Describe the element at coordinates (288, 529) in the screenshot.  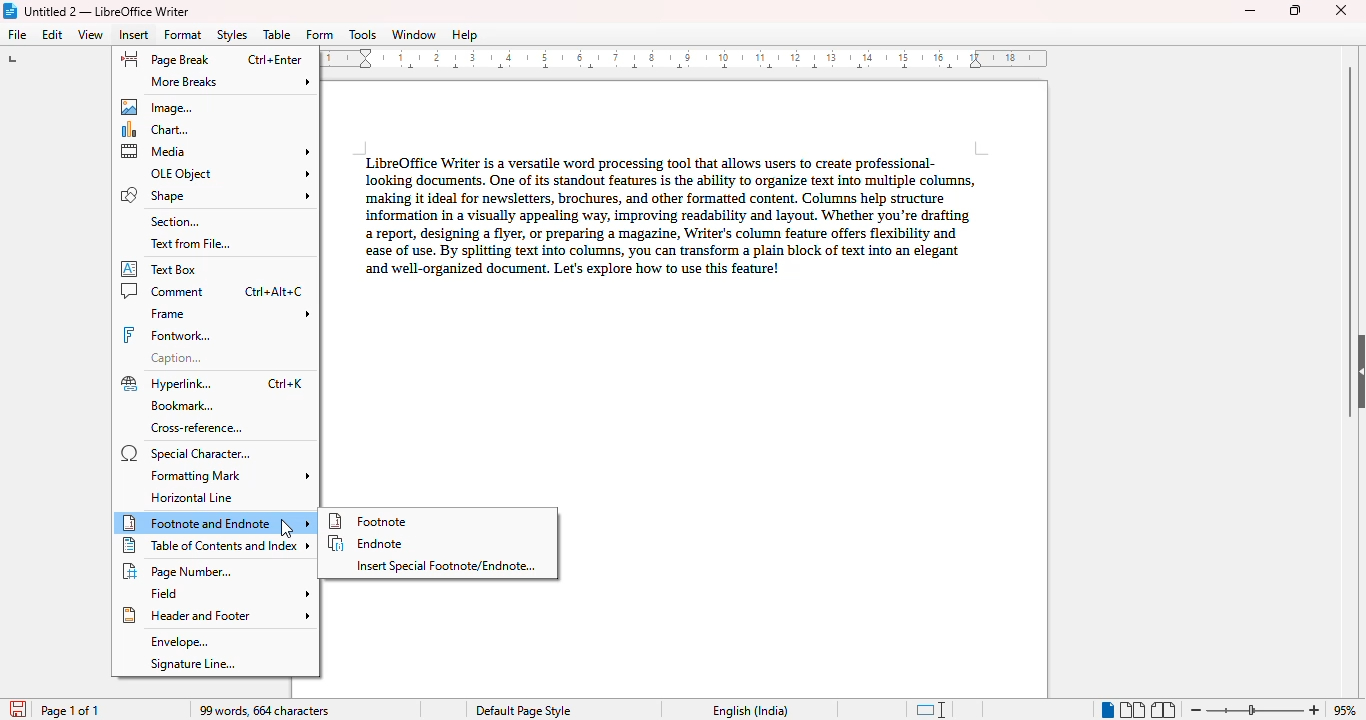
I see `cursor` at that location.